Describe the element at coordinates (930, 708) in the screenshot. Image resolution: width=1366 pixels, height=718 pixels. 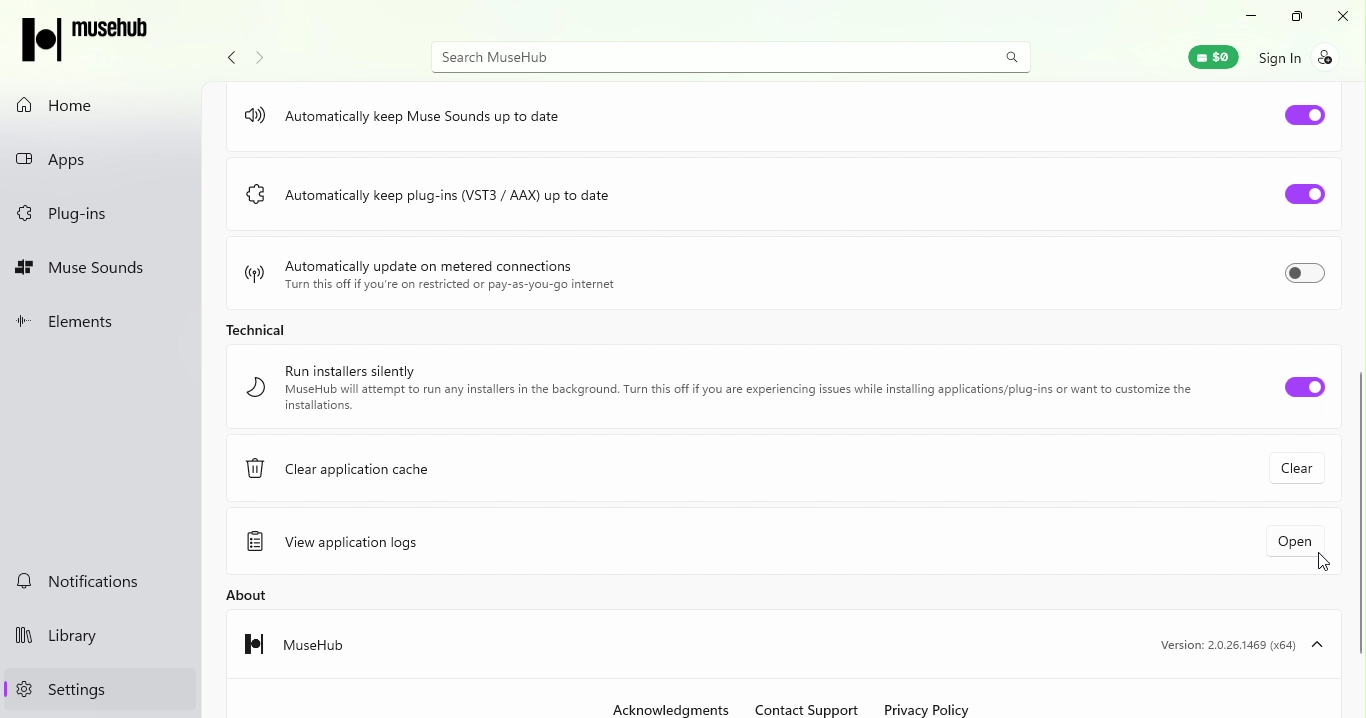
I see `Privacy policy` at that location.